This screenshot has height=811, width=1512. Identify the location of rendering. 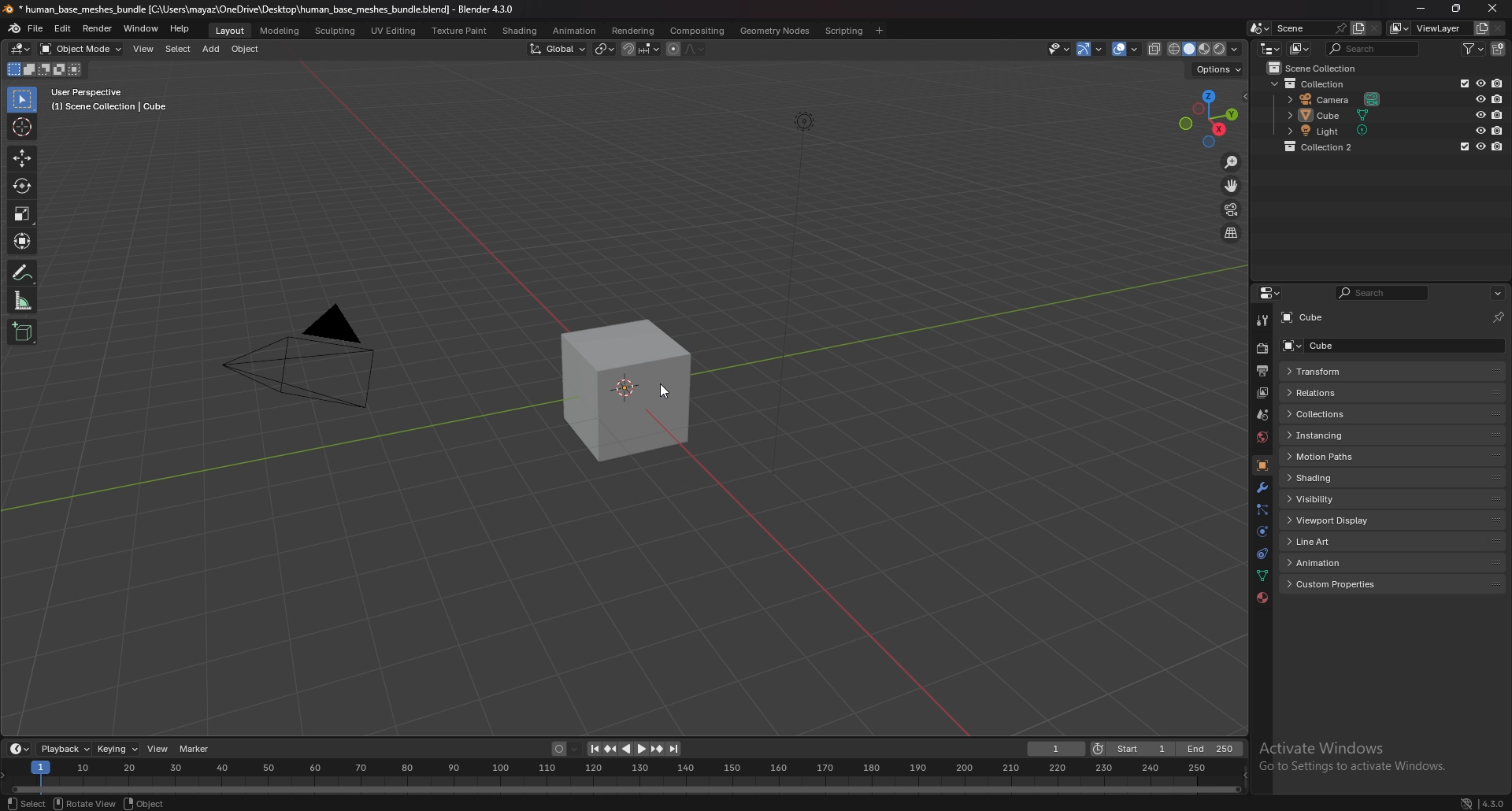
(633, 31).